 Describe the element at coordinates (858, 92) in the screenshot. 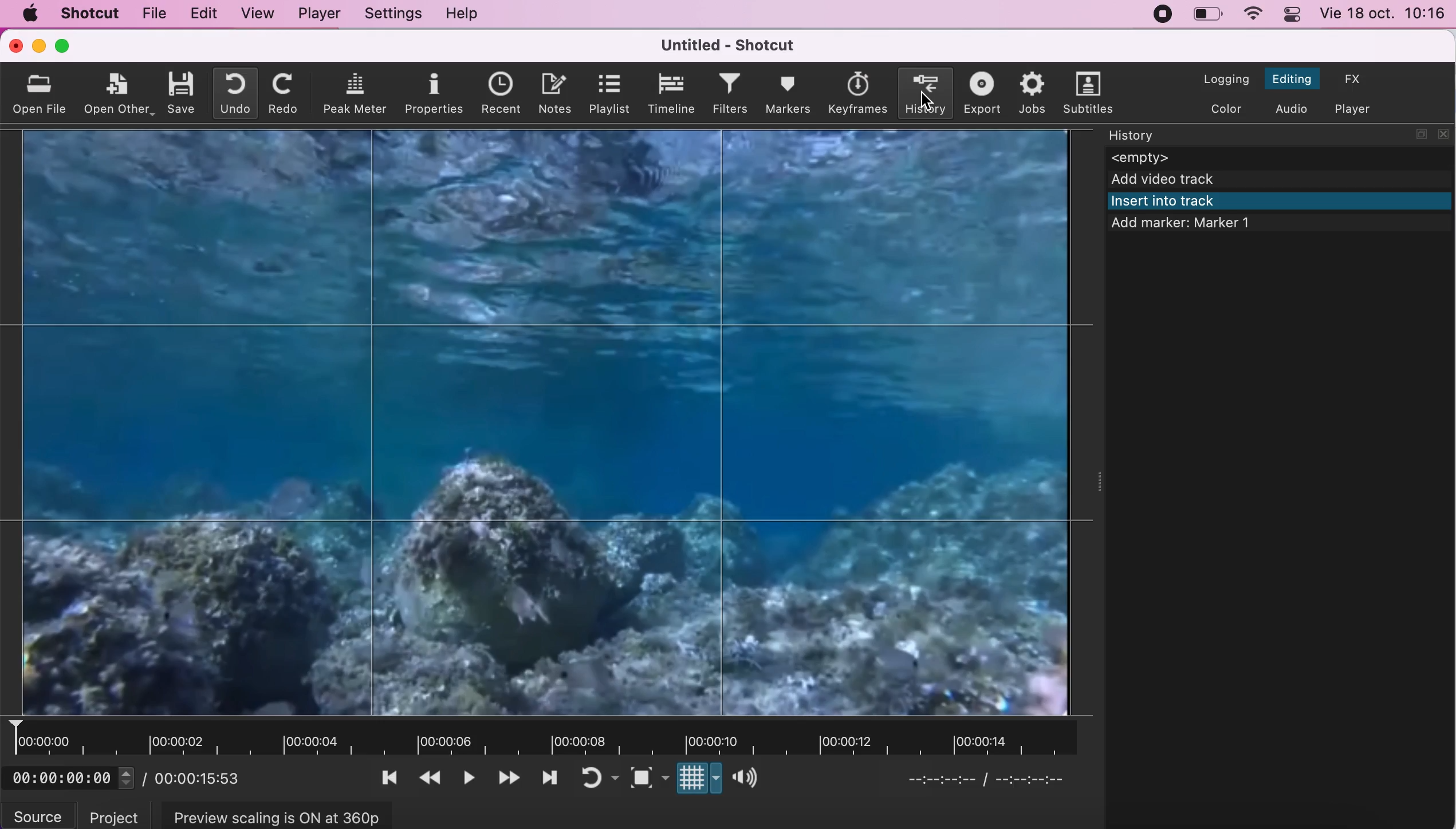

I see `keyframes` at that location.